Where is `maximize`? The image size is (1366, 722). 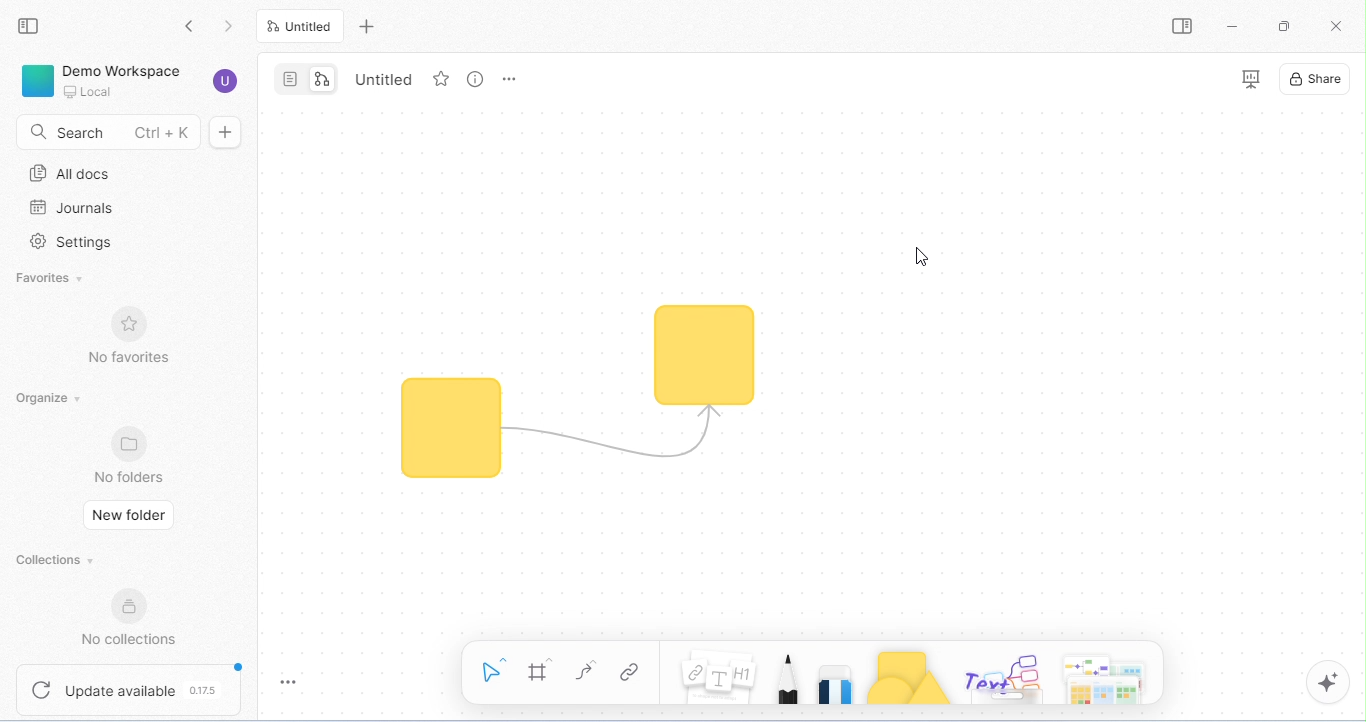 maximize is located at coordinates (1284, 26).